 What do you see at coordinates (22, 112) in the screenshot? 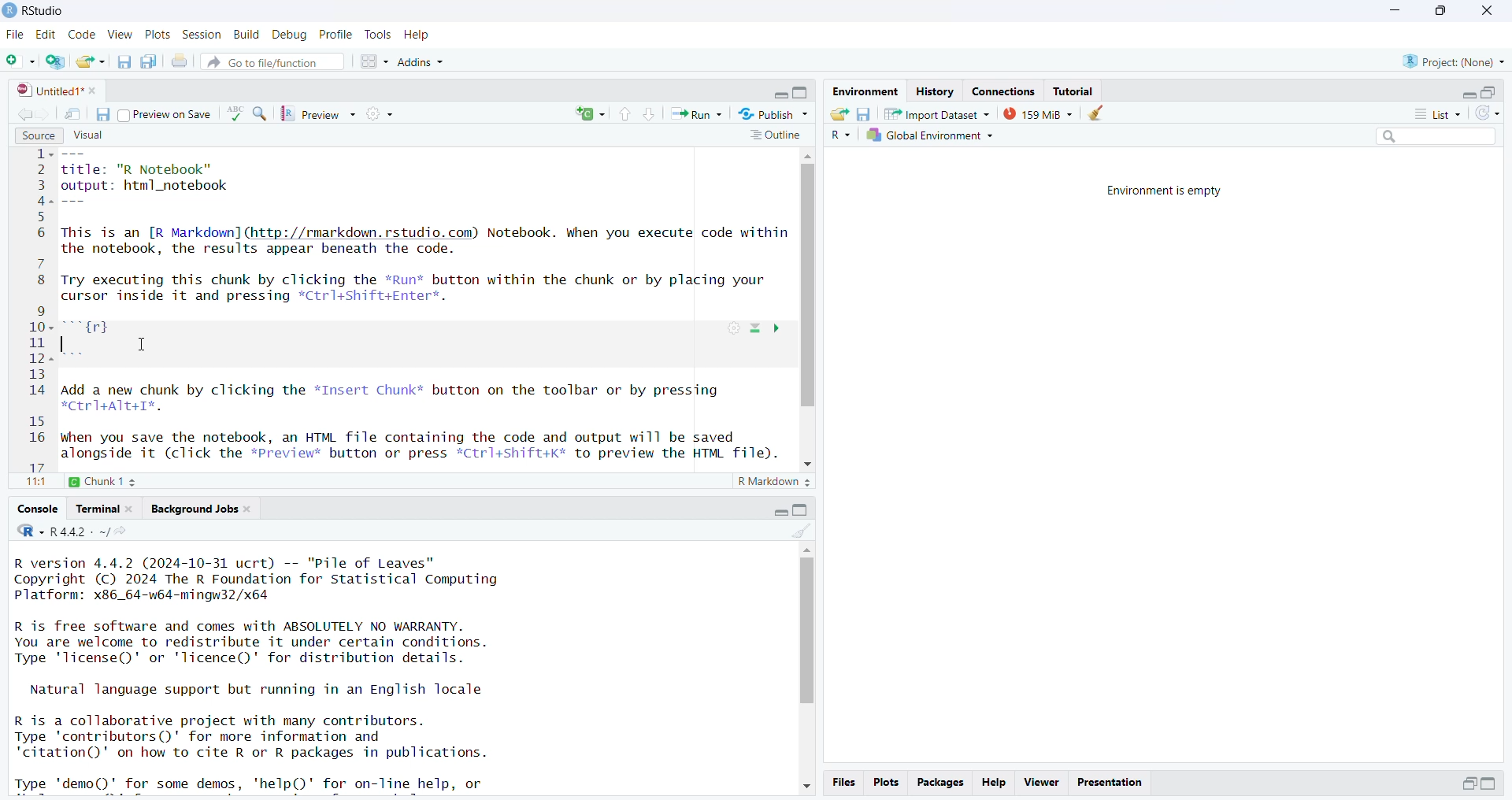
I see `go backward` at bounding box center [22, 112].